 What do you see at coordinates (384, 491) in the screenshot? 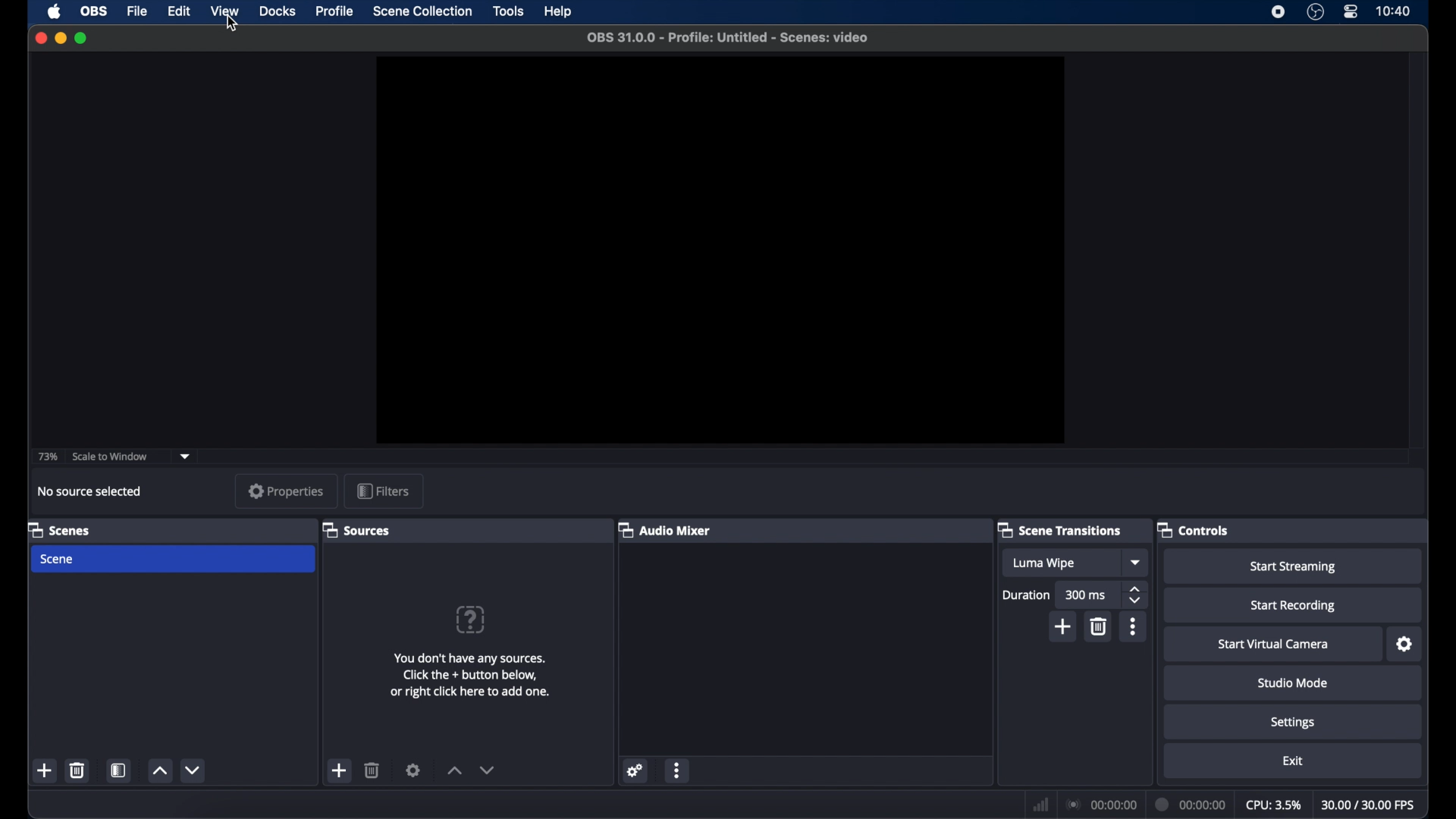
I see `filters` at bounding box center [384, 491].